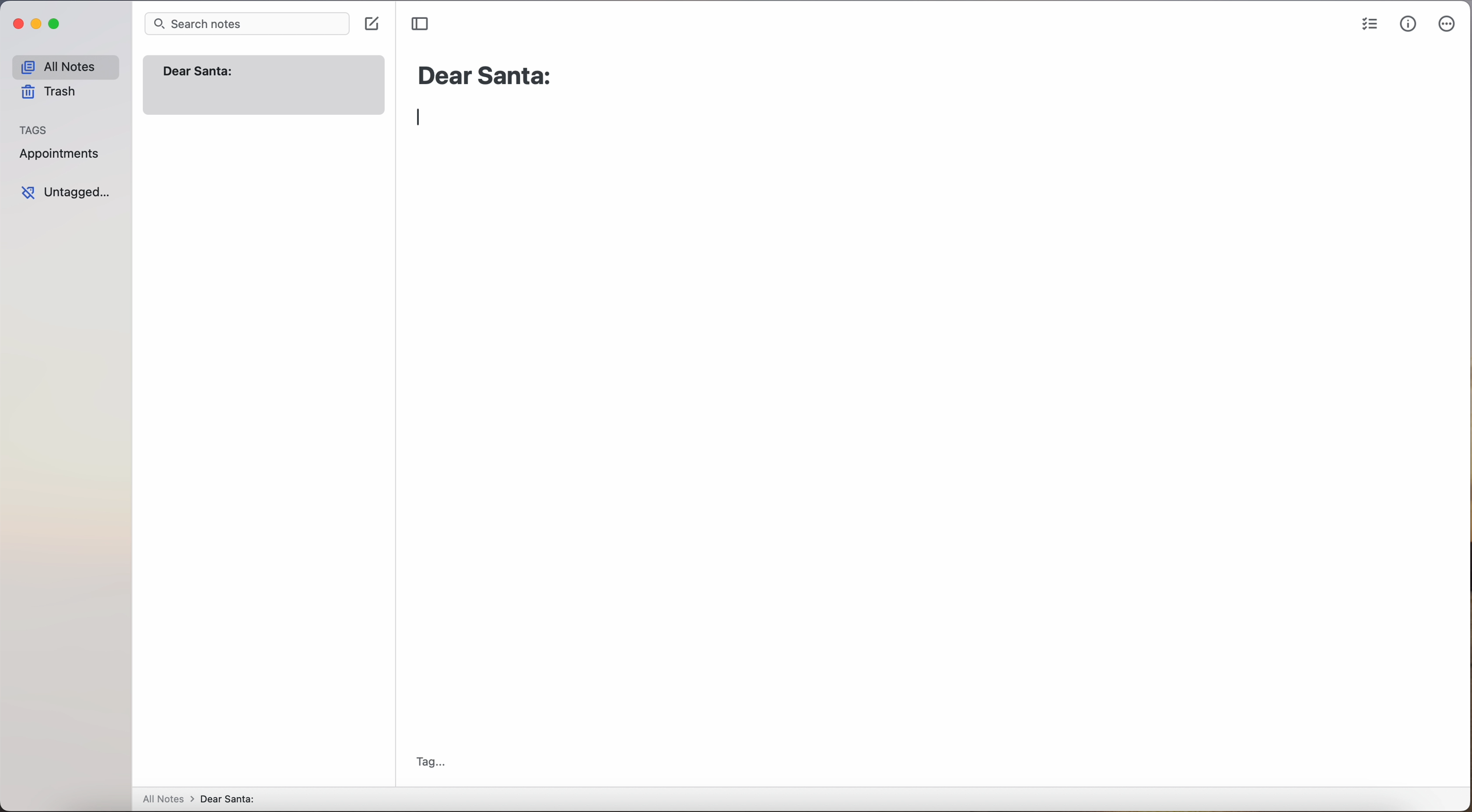  Describe the element at coordinates (61, 156) in the screenshot. I see `appointments` at that location.